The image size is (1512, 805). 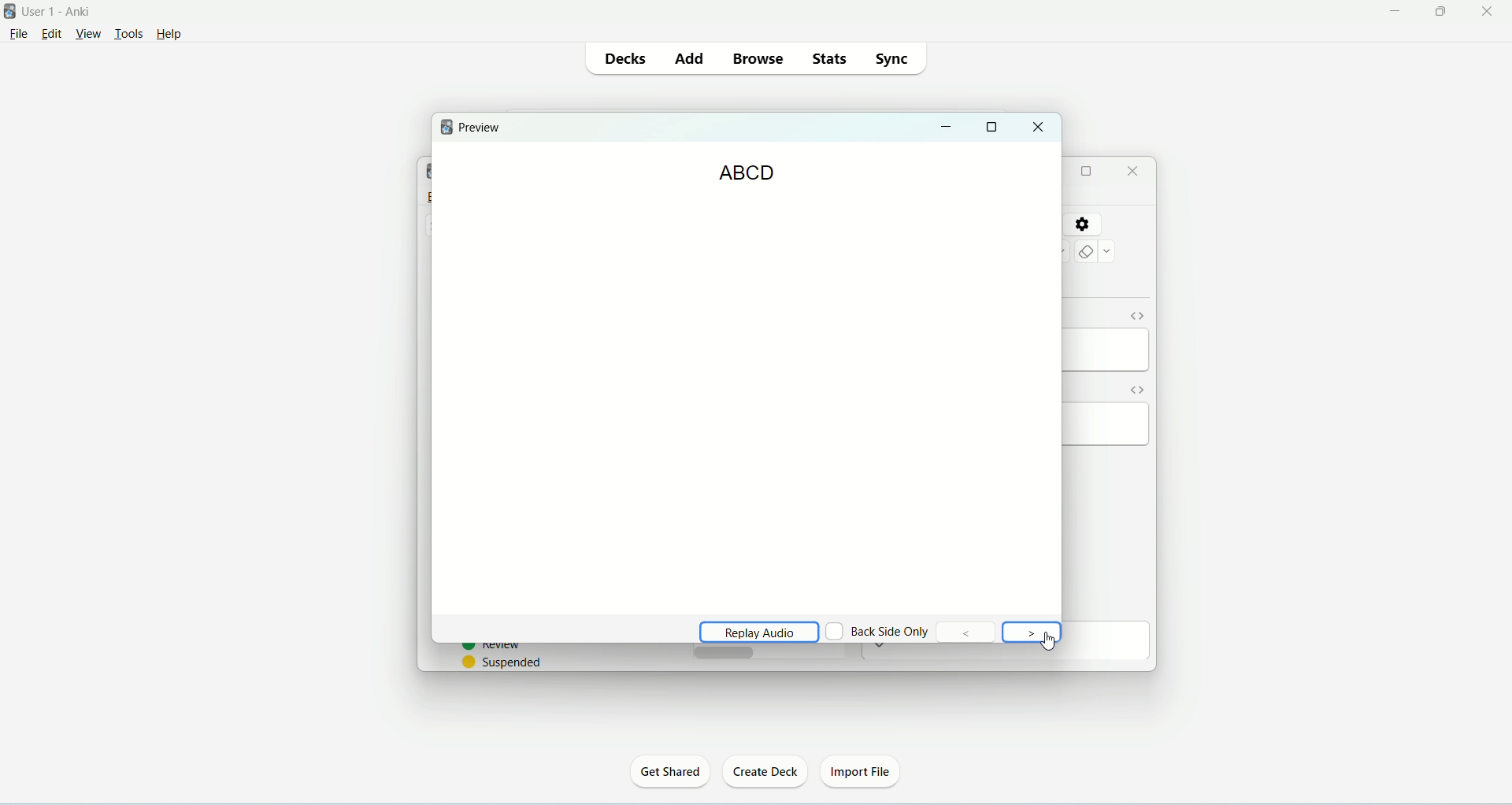 What do you see at coordinates (1136, 389) in the screenshot?
I see `toggle HTML editor` at bounding box center [1136, 389].